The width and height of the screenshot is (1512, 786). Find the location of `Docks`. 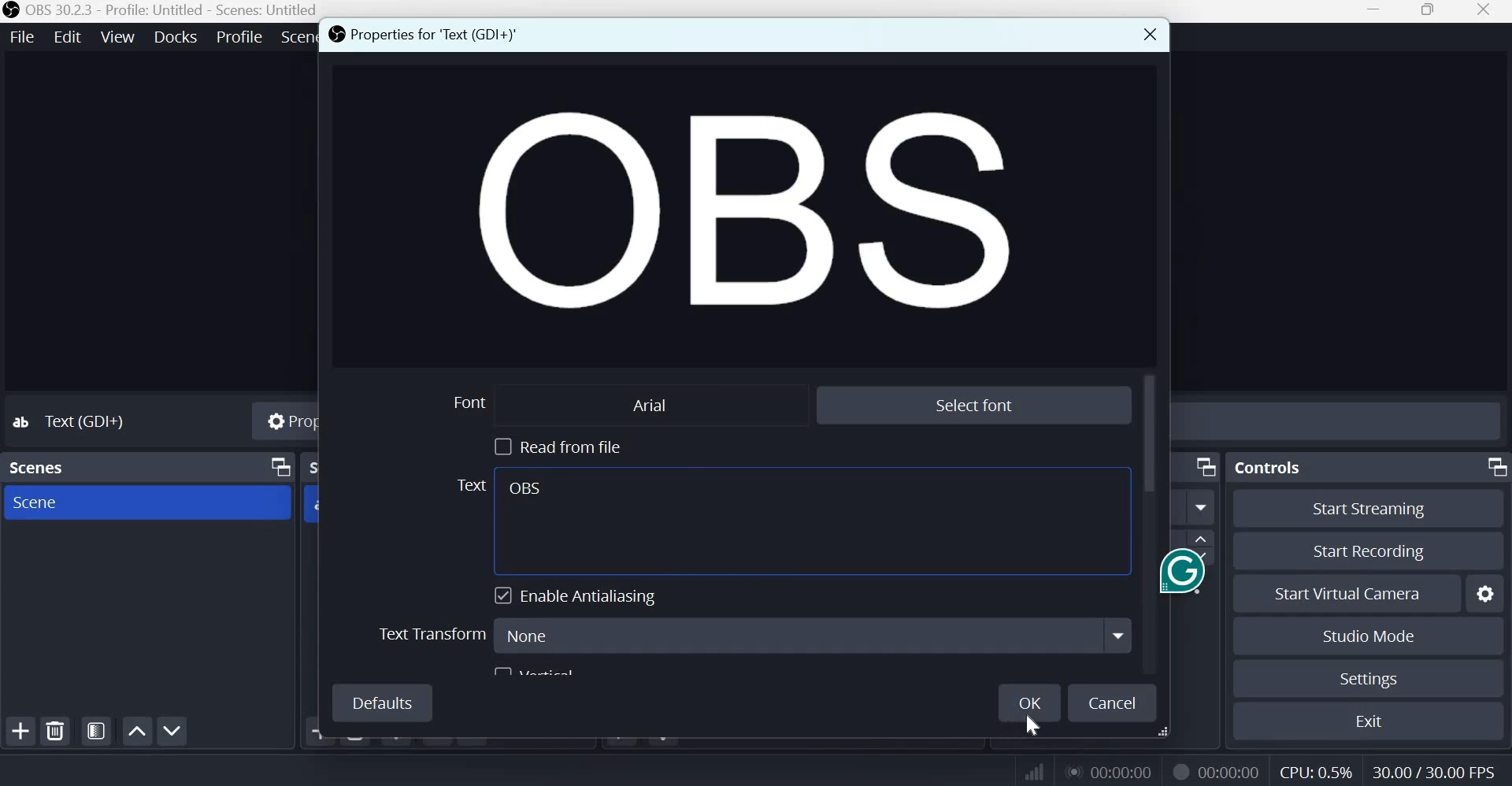

Docks is located at coordinates (176, 37).